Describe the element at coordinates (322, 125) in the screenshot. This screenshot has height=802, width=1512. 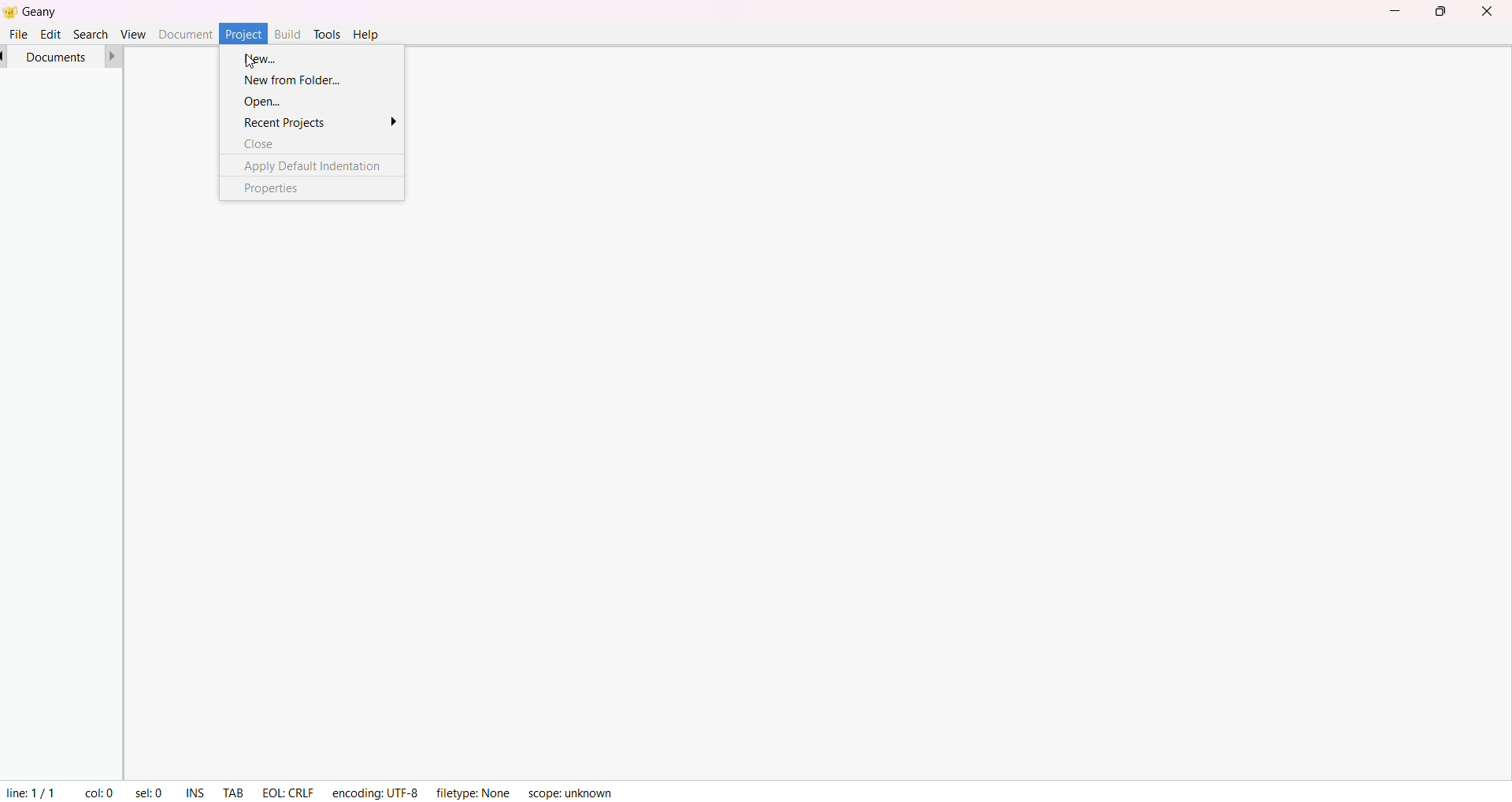
I see `recent projects` at that location.